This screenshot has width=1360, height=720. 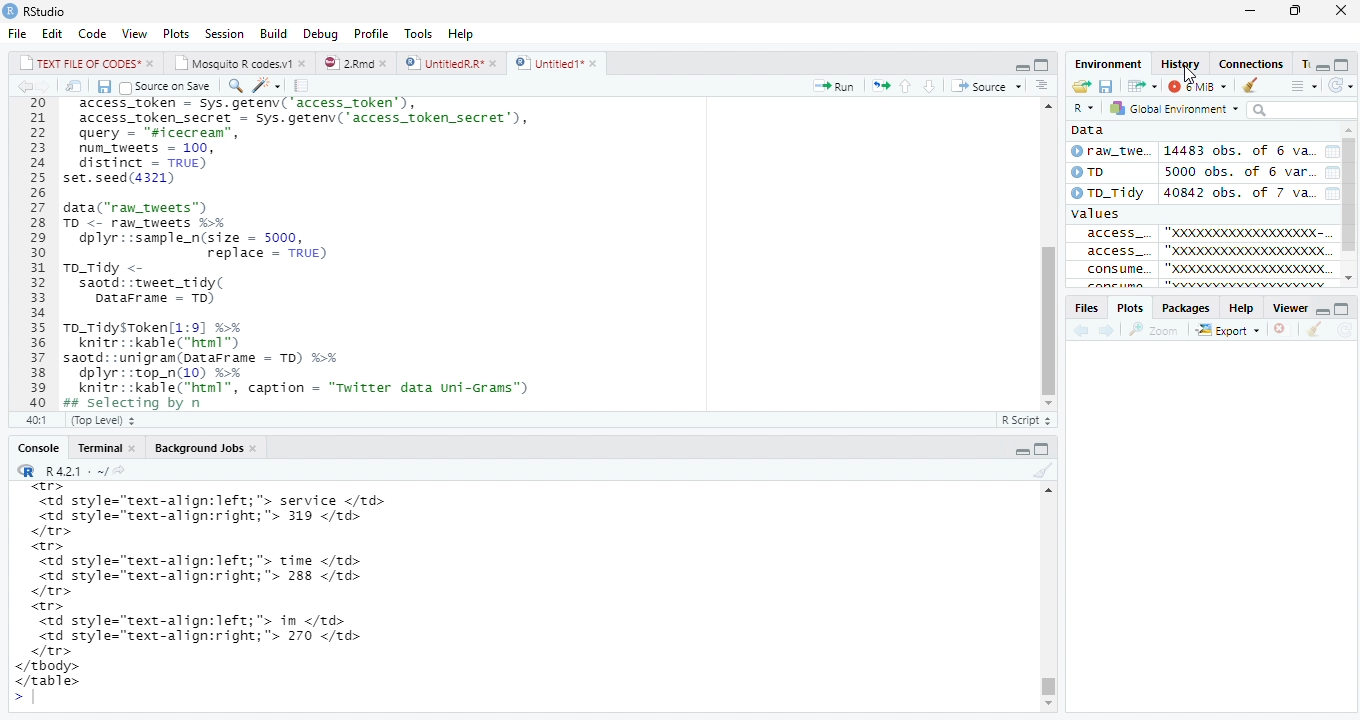 I want to click on cursor, so click(x=1065, y=250).